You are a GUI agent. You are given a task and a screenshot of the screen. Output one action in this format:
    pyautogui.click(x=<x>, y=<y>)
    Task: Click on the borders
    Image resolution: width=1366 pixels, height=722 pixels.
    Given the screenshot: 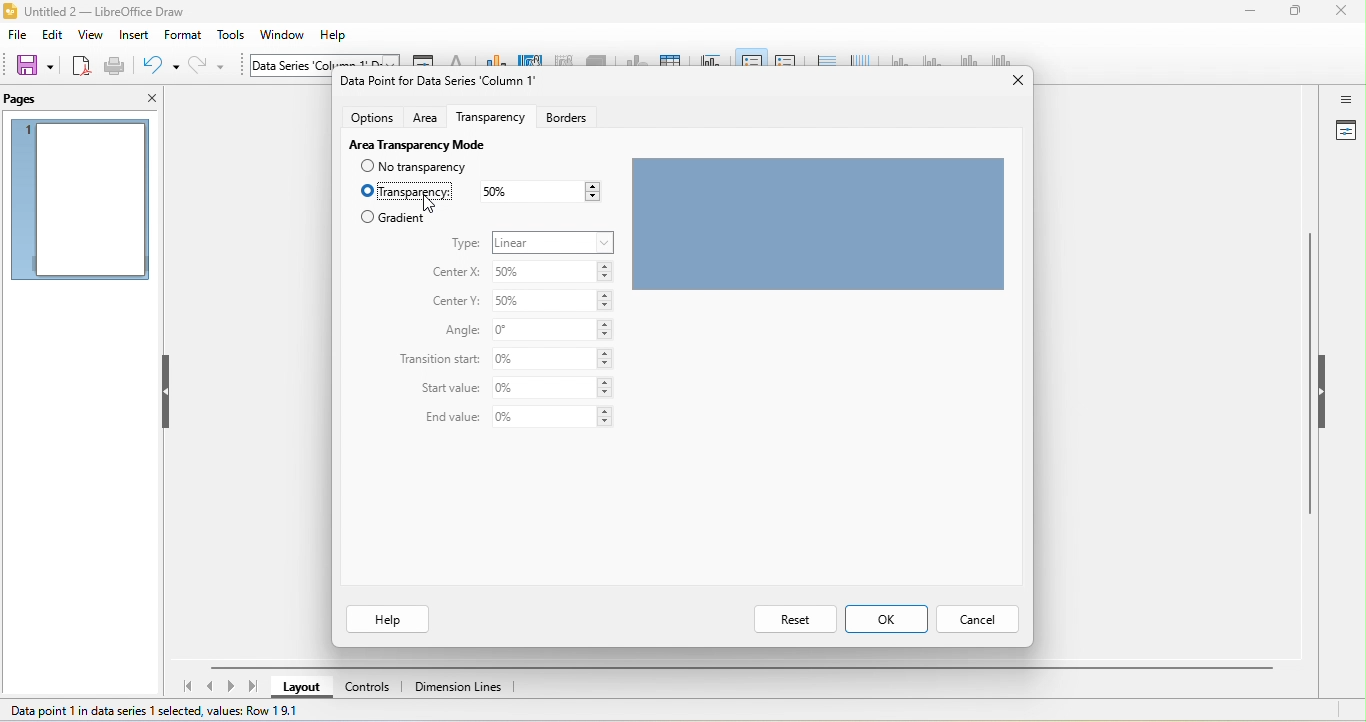 What is the action you would take?
    pyautogui.click(x=581, y=121)
    